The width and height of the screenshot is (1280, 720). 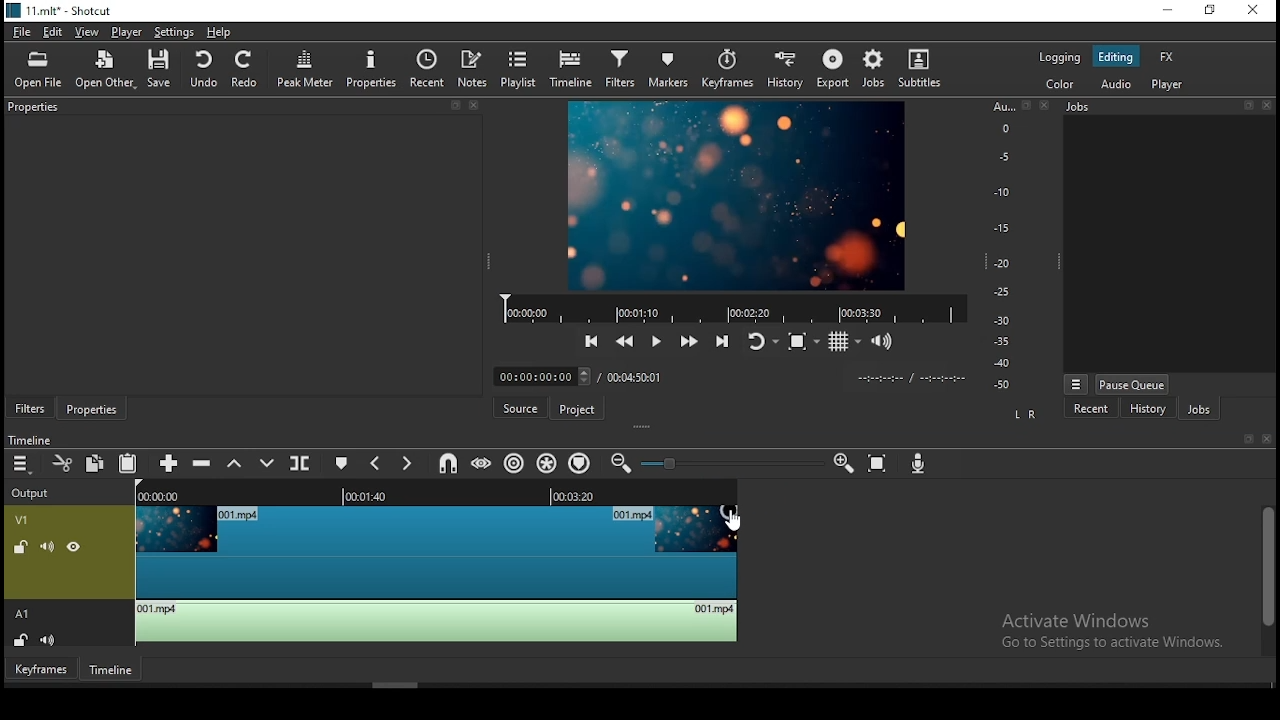 What do you see at coordinates (63, 12) in the screenshot?
I see `11.mlt* -shotcut` at bounding box center [63, 12].